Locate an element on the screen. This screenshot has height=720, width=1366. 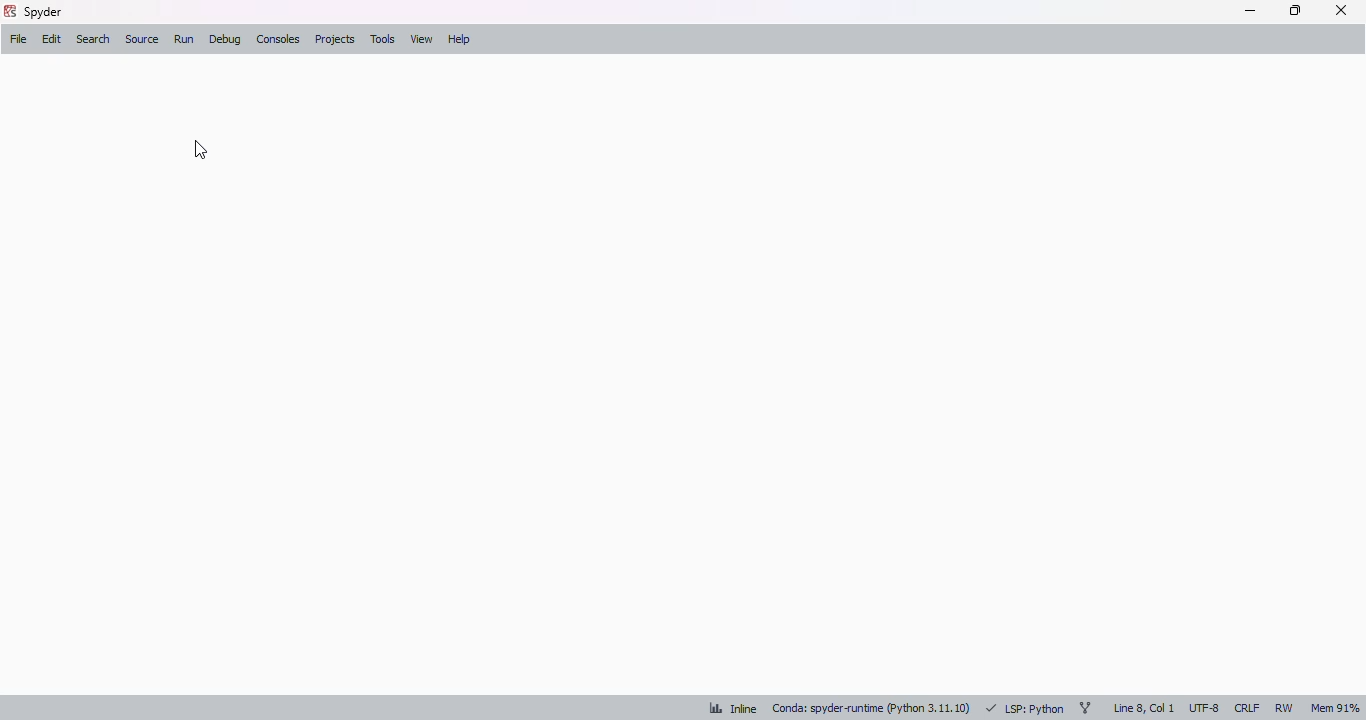
debug is located at coordinates (226, 40).